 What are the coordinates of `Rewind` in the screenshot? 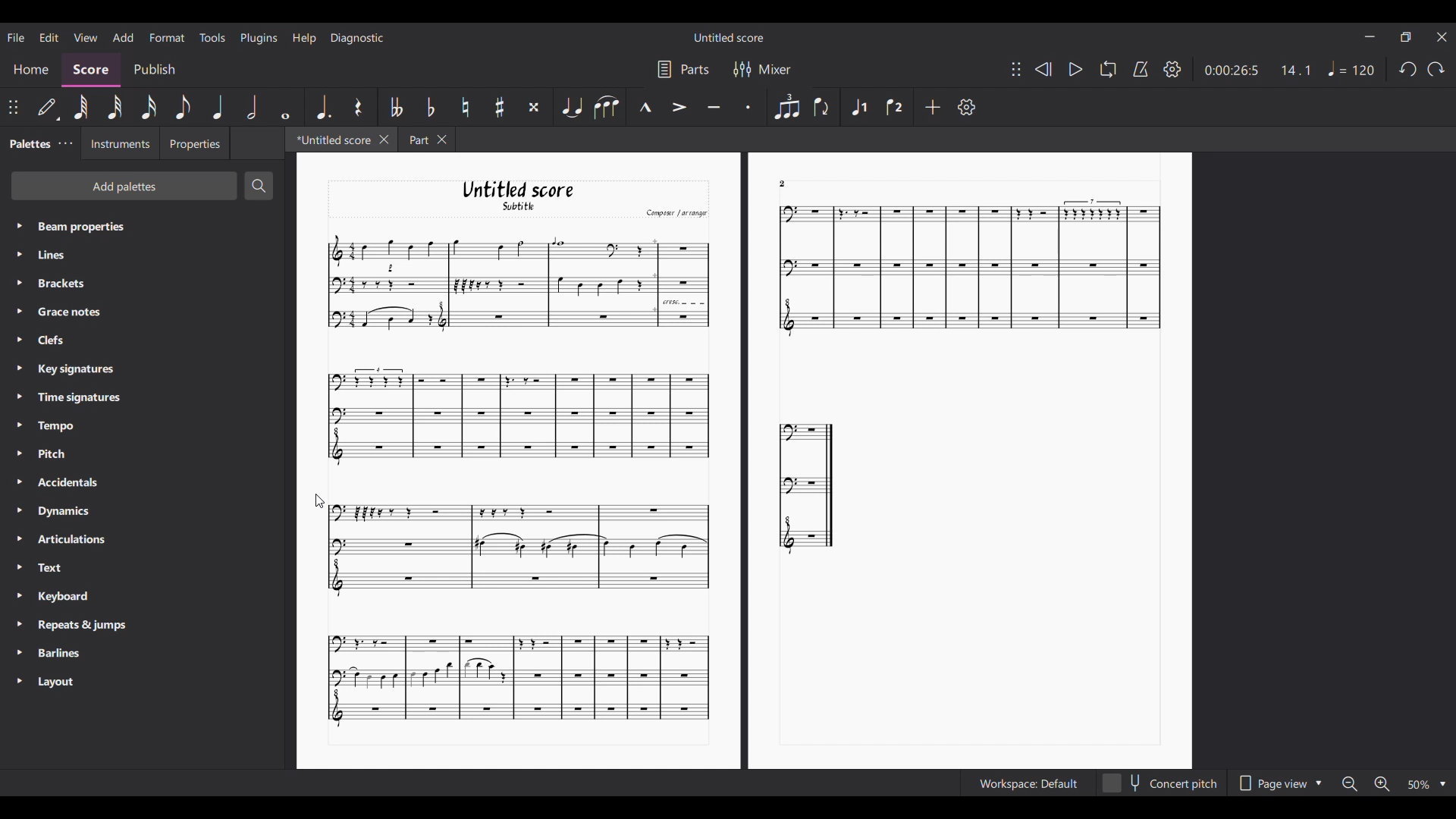 It's located at (1042, 69).